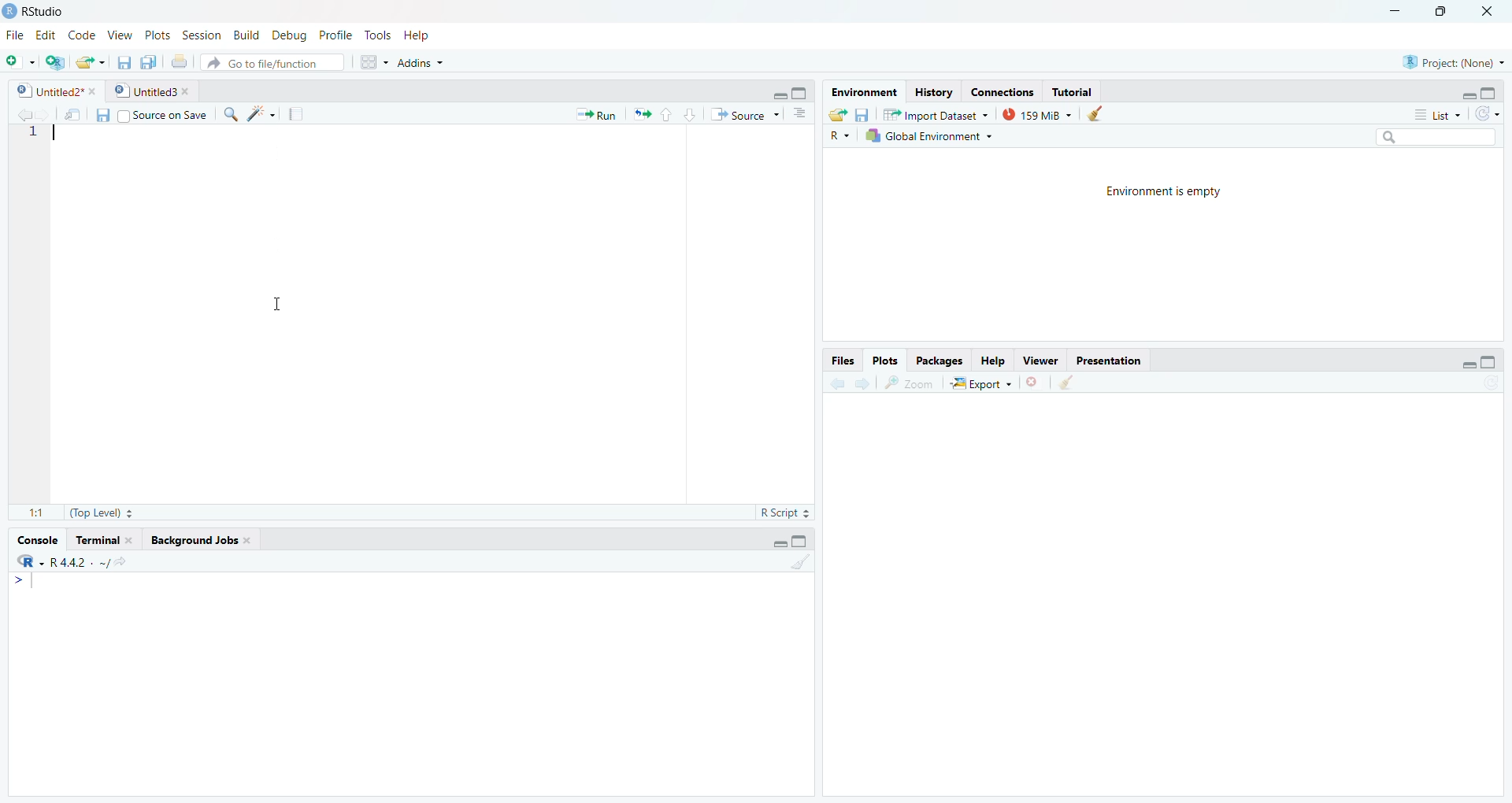  Describe the element at coordinates (1454, 62) in the screenshot. I see `Project: (None)` at that location.